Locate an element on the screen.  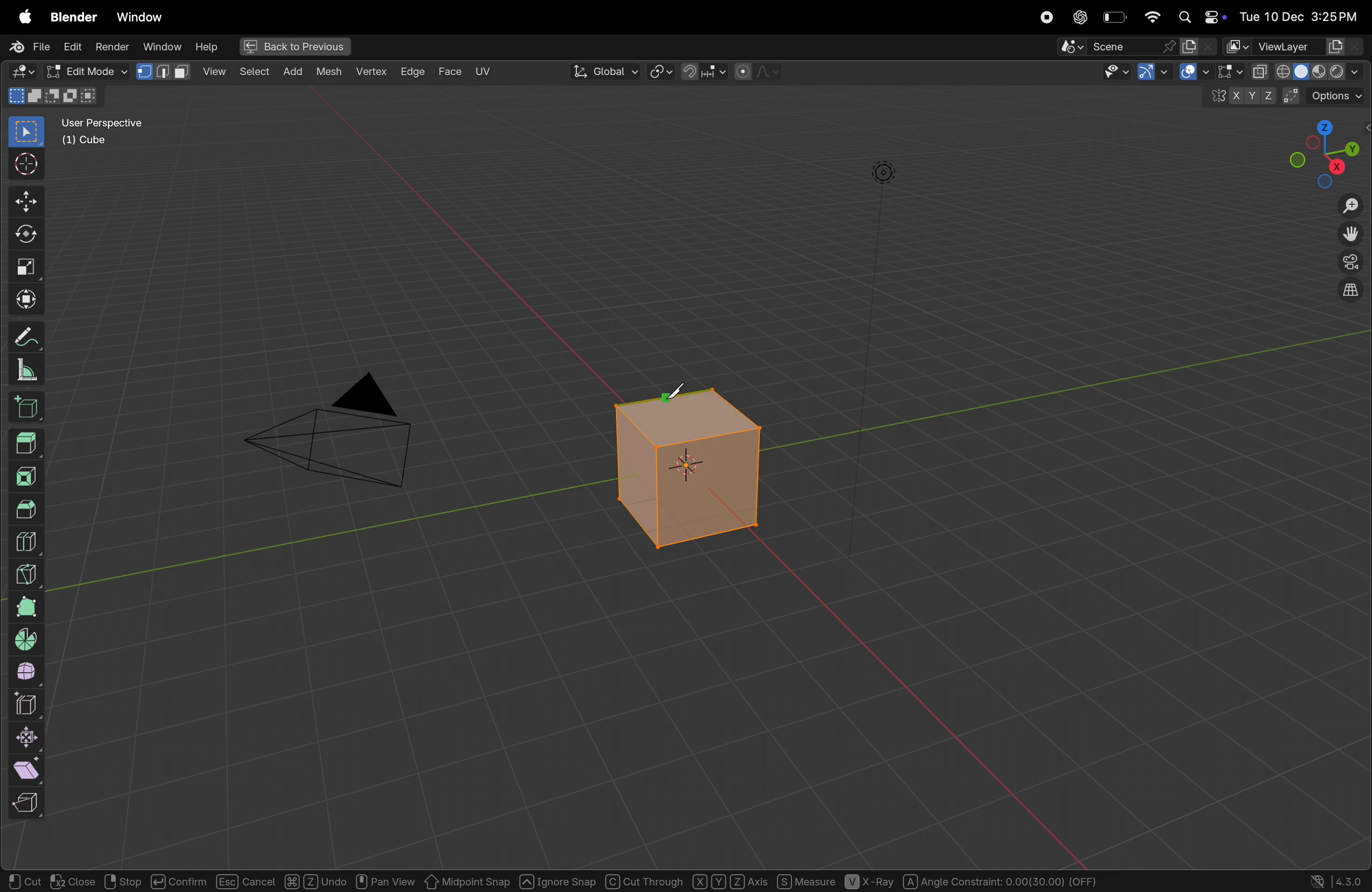
Cut Through is located at coordinates (645, 880).